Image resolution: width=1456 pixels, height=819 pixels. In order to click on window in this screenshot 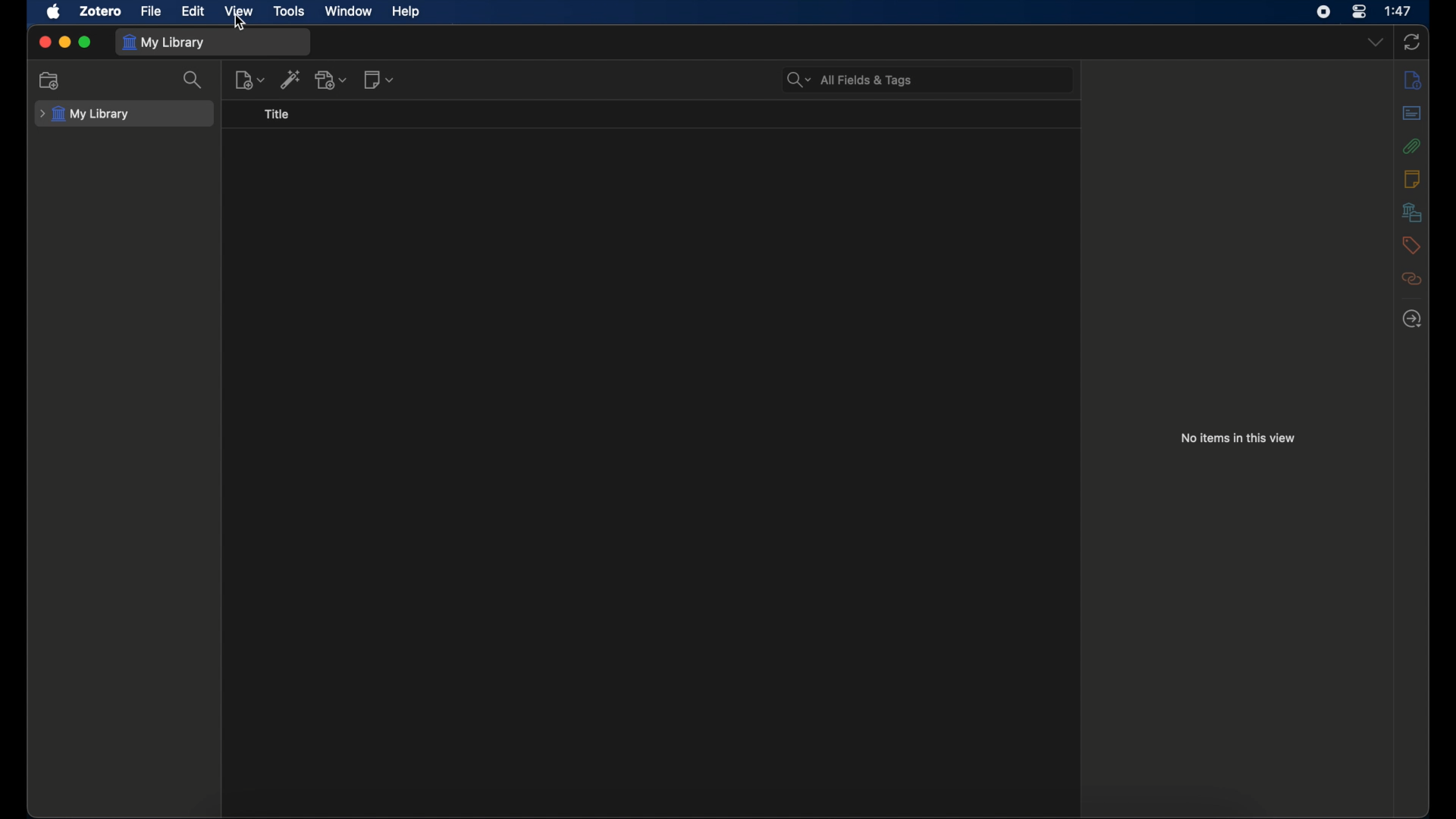, I will do `click(347, 11)`.